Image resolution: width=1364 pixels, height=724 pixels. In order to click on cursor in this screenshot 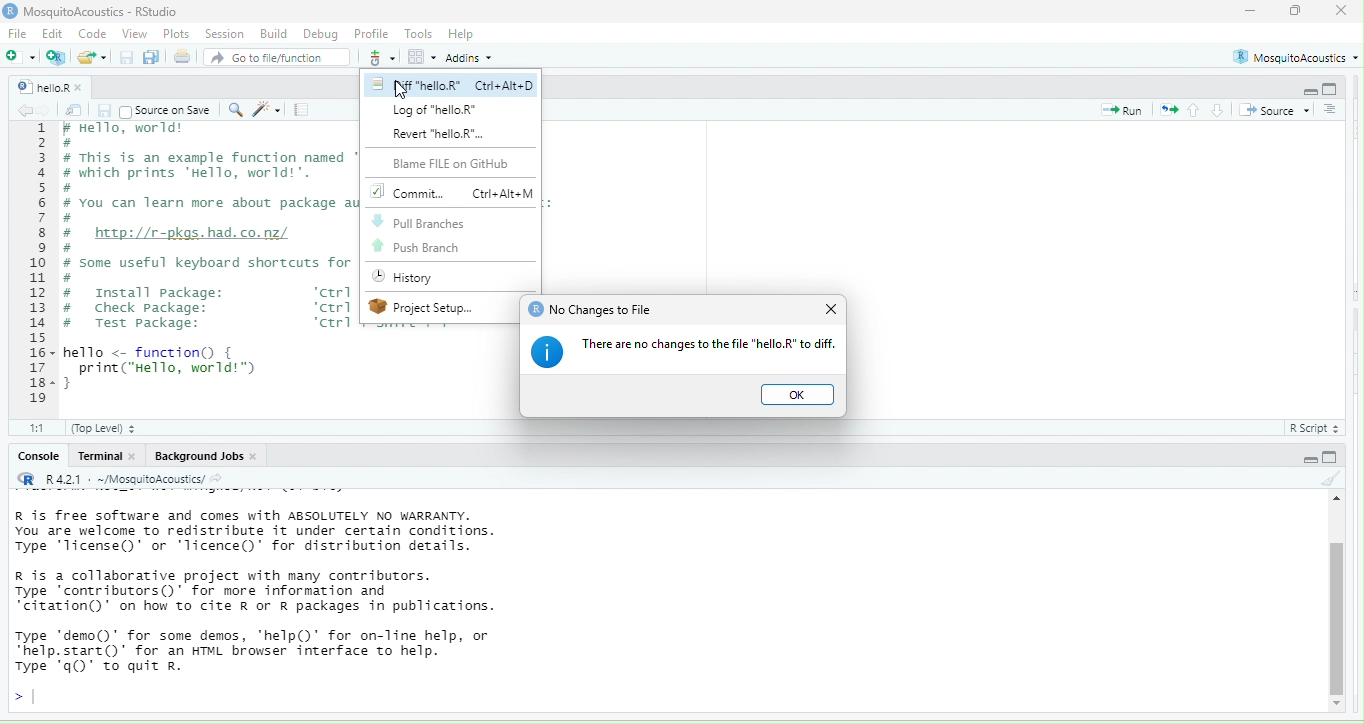, I will do `click(404, 91)`.